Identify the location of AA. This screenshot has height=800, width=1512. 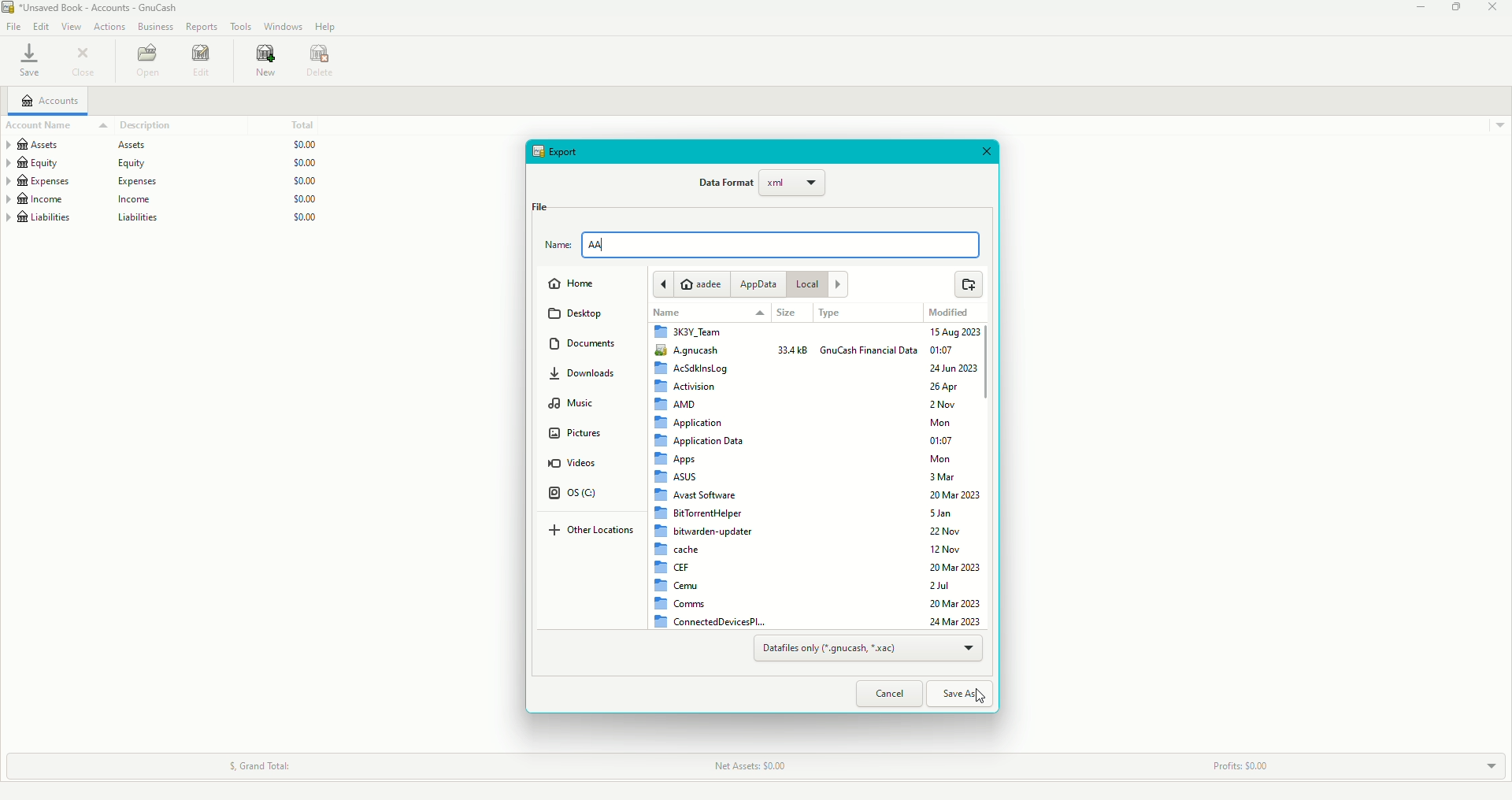
(598, 246).